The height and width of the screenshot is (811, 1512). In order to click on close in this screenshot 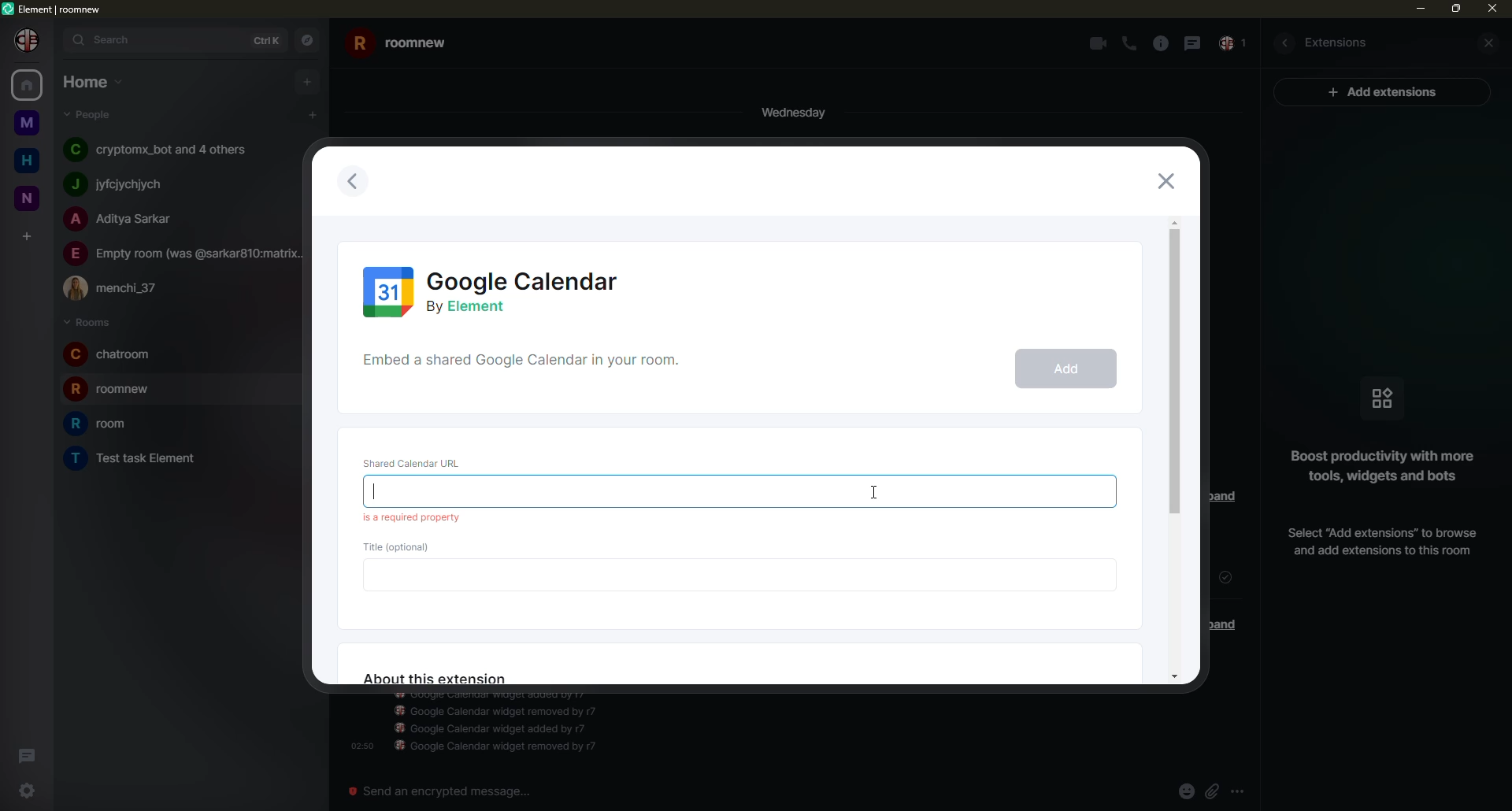, I will do `click(1167, 180)`.